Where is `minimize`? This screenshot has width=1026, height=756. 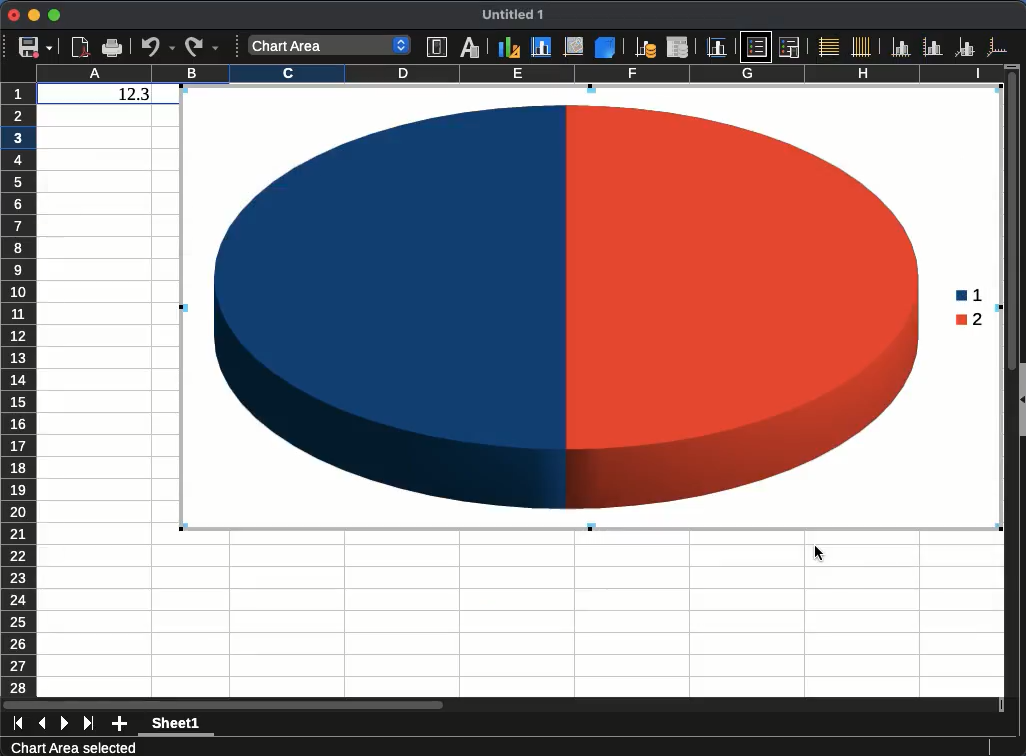
minimize is located at coordinates (35, 15).